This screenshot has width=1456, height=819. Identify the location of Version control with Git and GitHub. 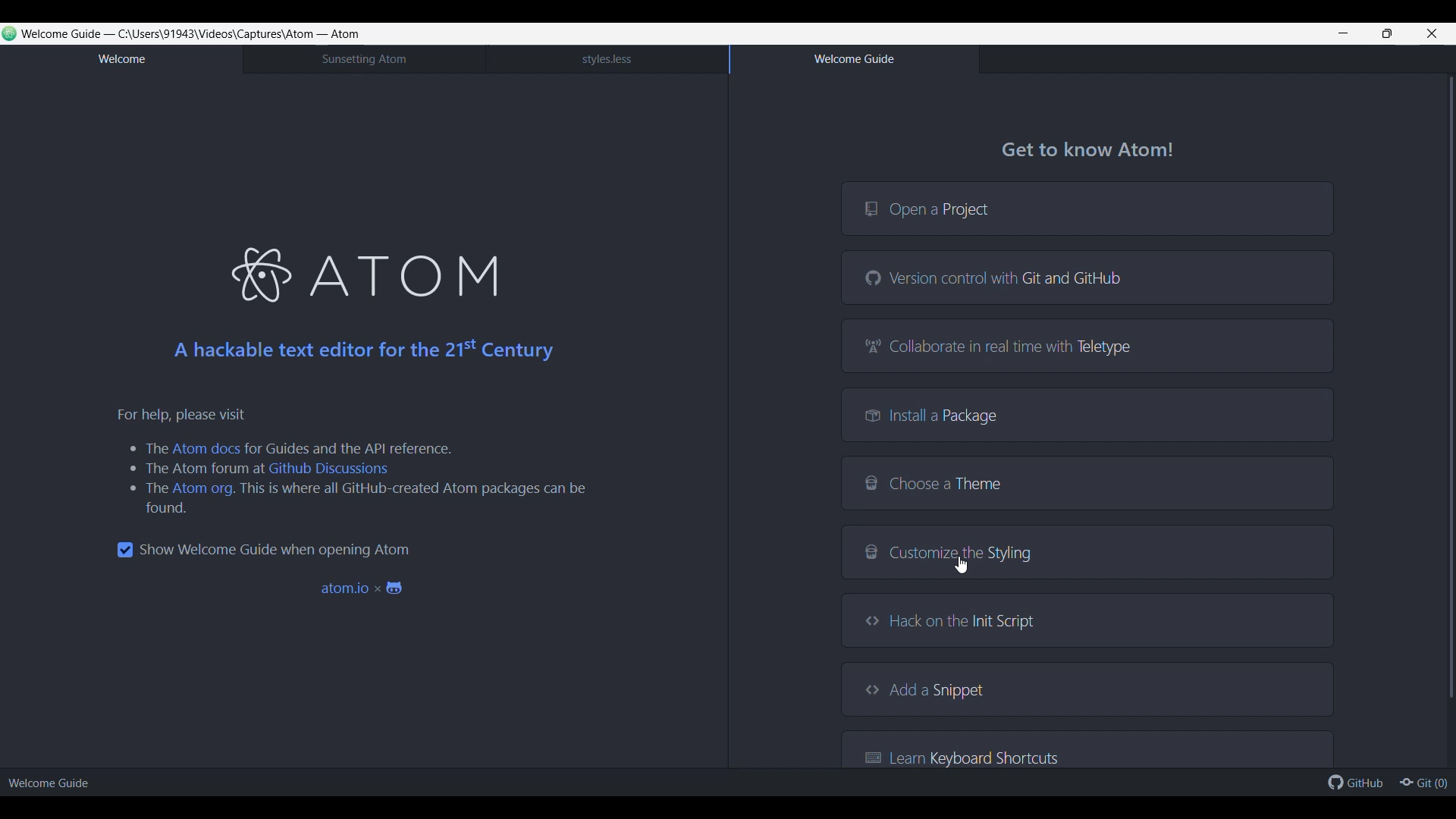
(1087, 277).